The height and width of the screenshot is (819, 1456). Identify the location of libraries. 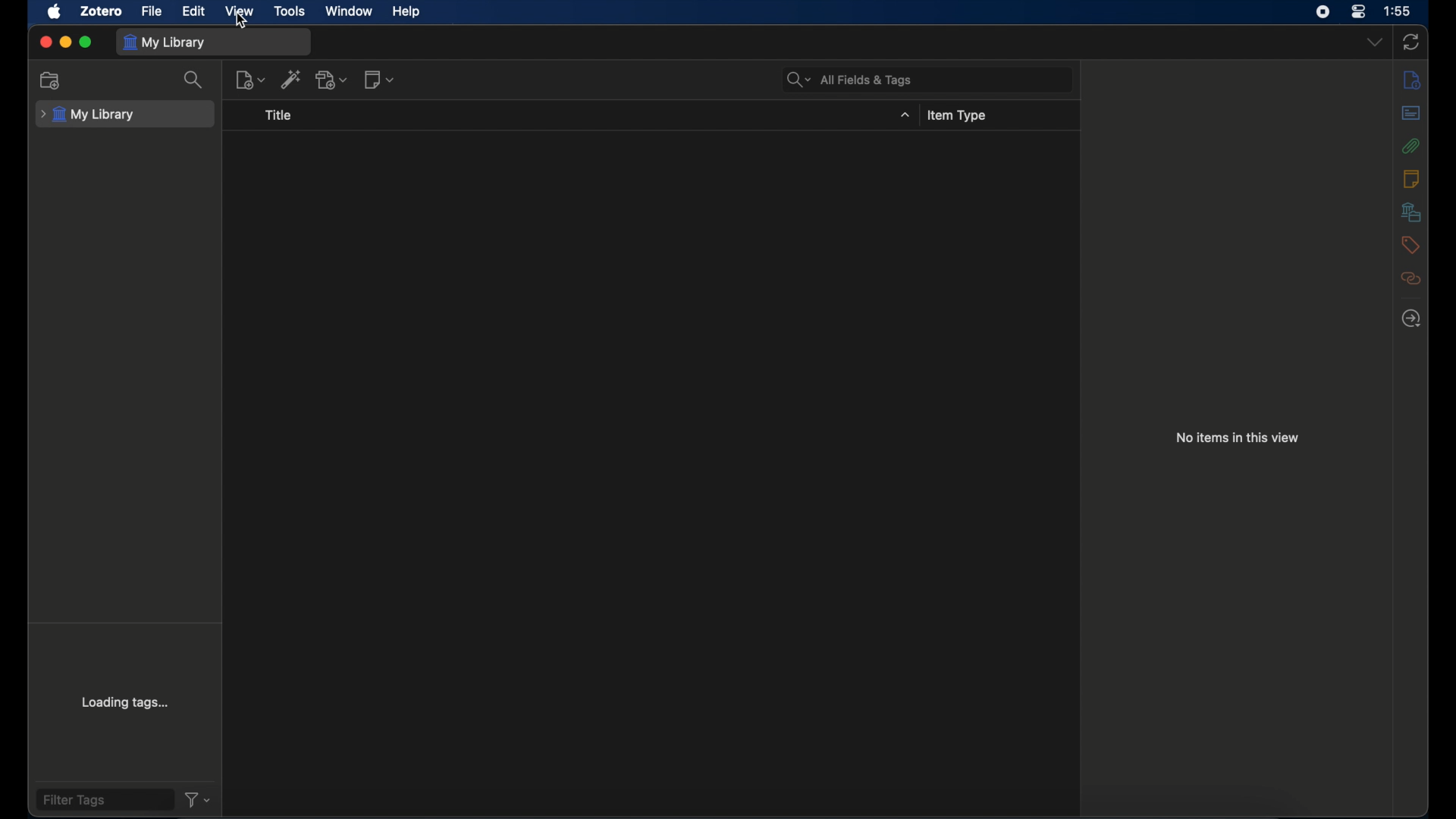
(1411, 212).